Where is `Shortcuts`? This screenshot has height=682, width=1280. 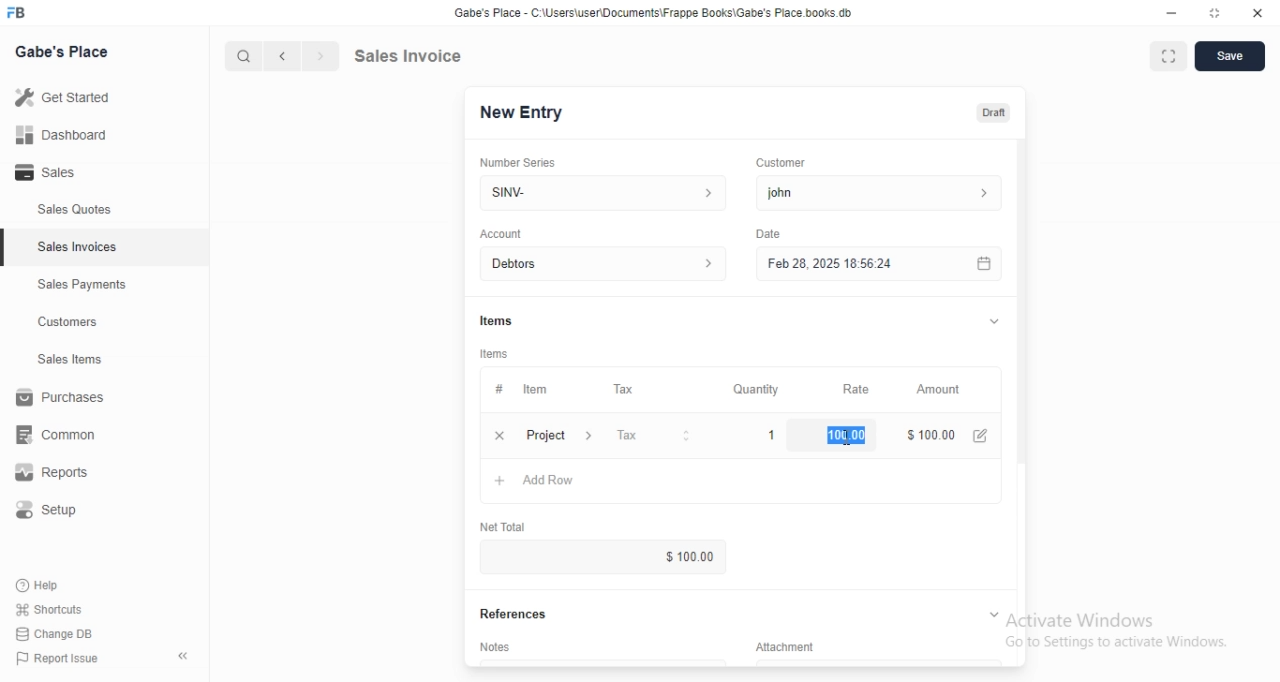
Shortcuts is located at coordinates (61, 608).